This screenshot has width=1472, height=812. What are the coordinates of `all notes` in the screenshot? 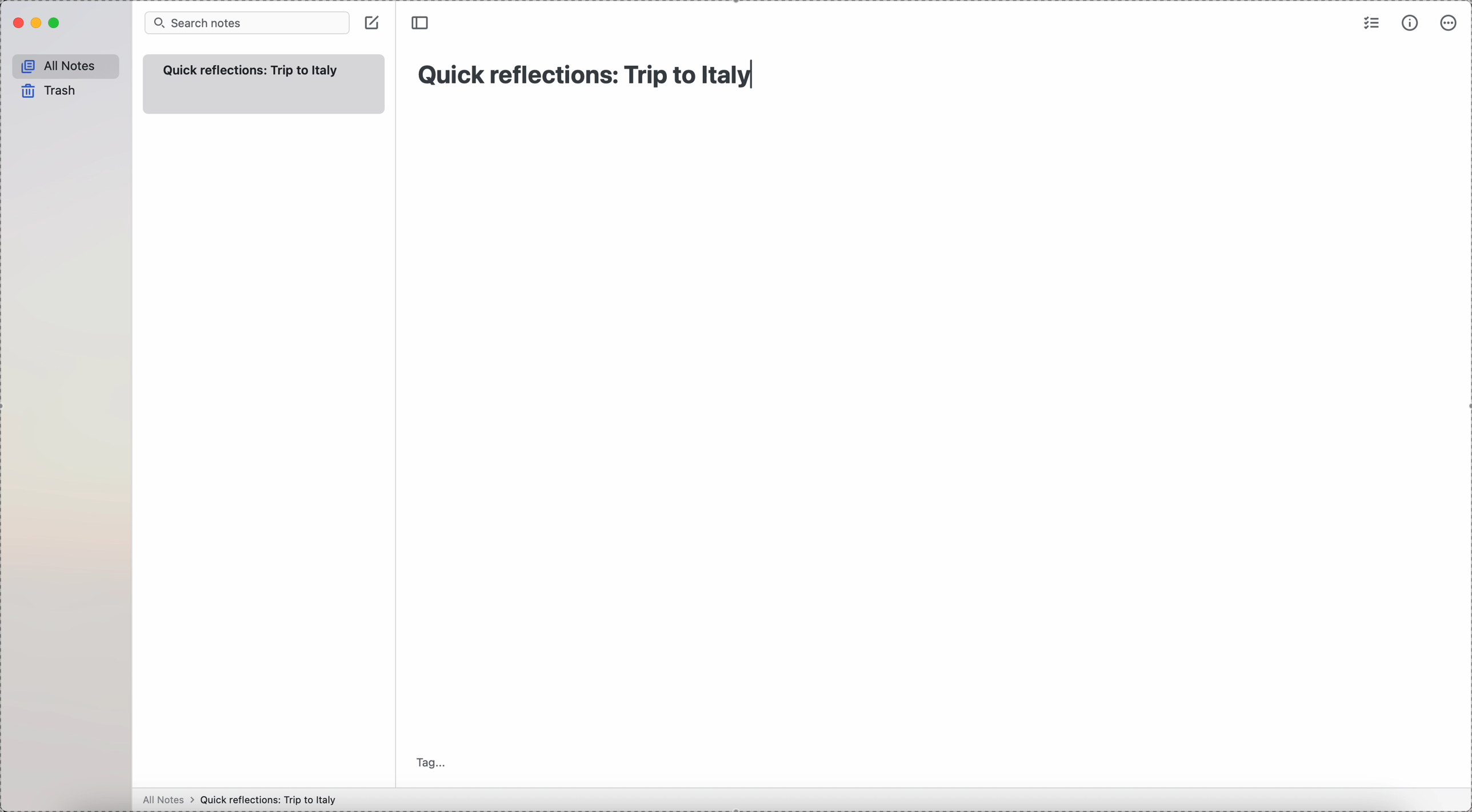 It's located at (165, 801).